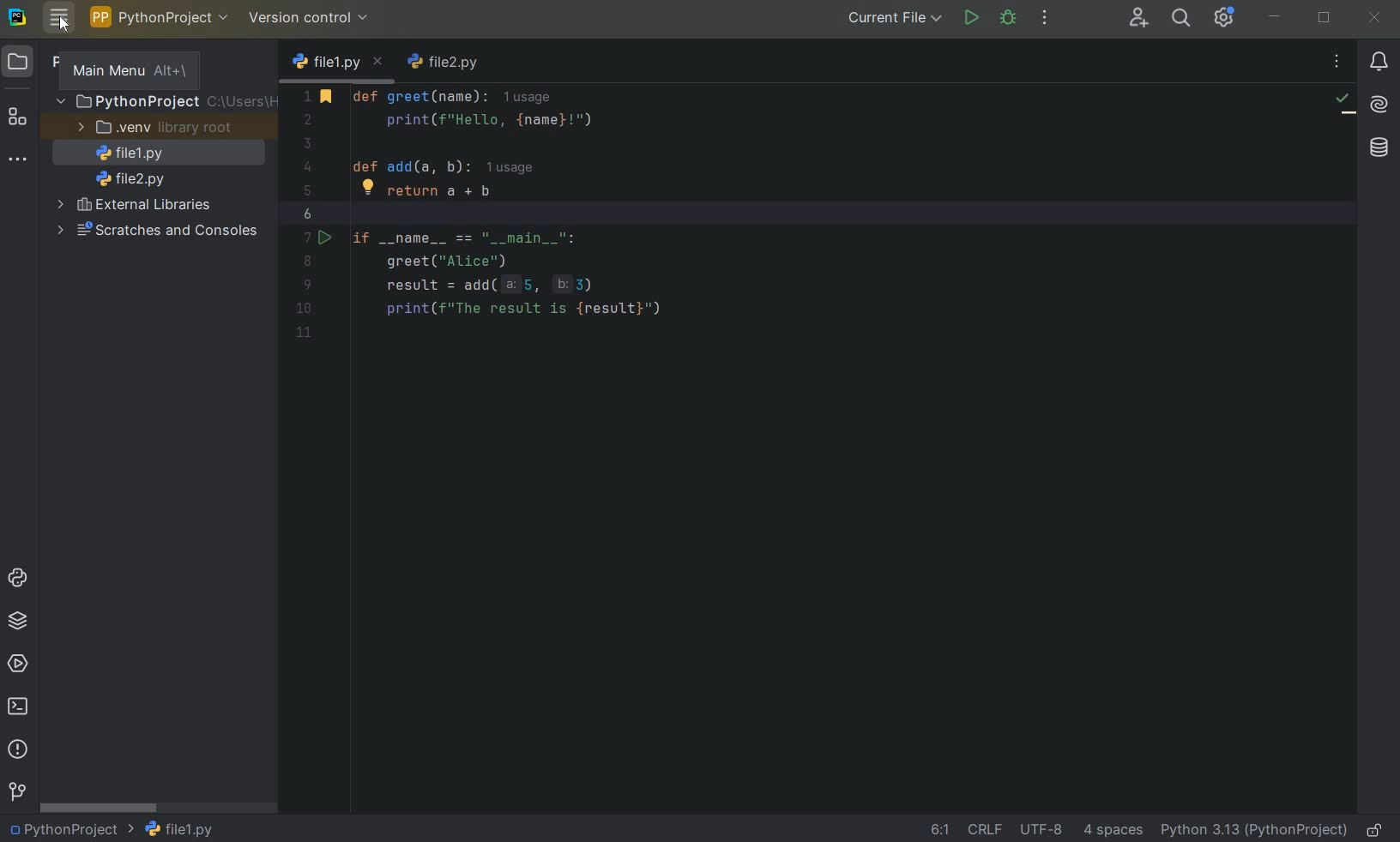 This screenshot has height=842, width=1400. Describe the element at coordinates (100, 807) in the screenshot. I see `scrollbar` at that location.